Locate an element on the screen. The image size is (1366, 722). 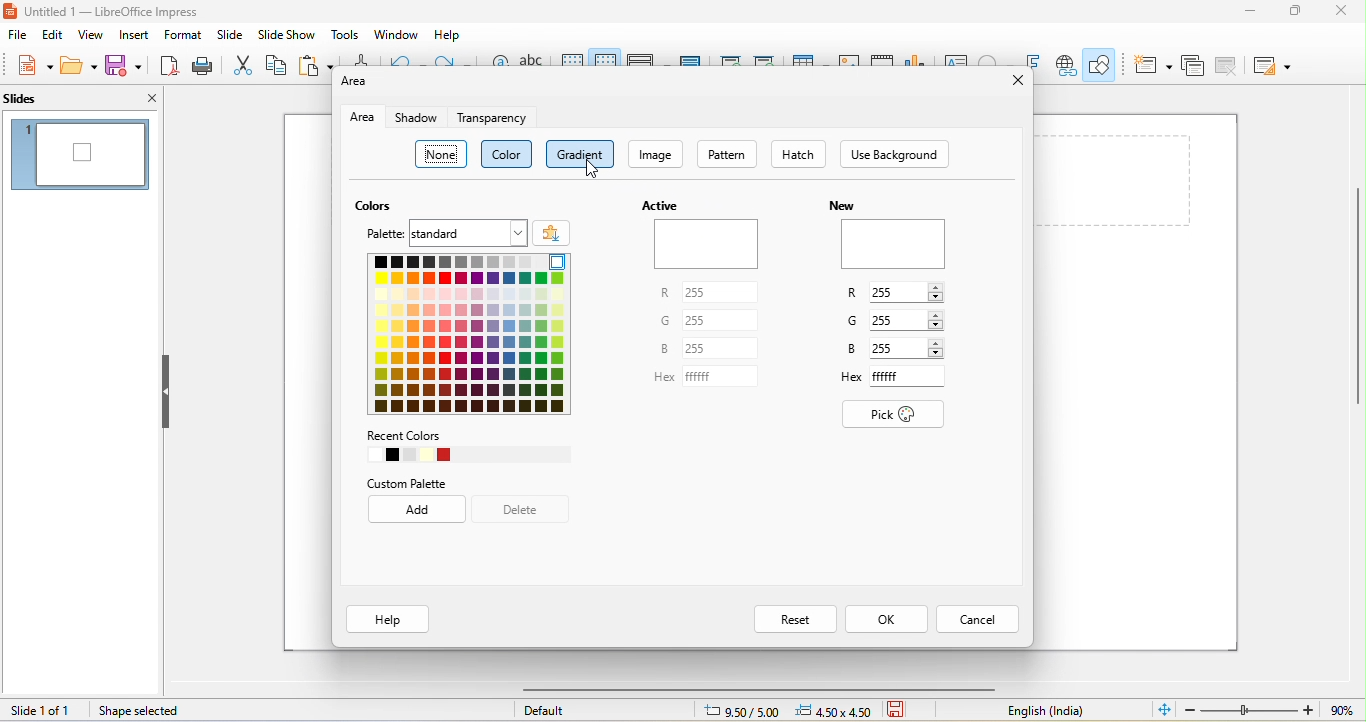
horizontal scroll is located at coordinates (741, 689).